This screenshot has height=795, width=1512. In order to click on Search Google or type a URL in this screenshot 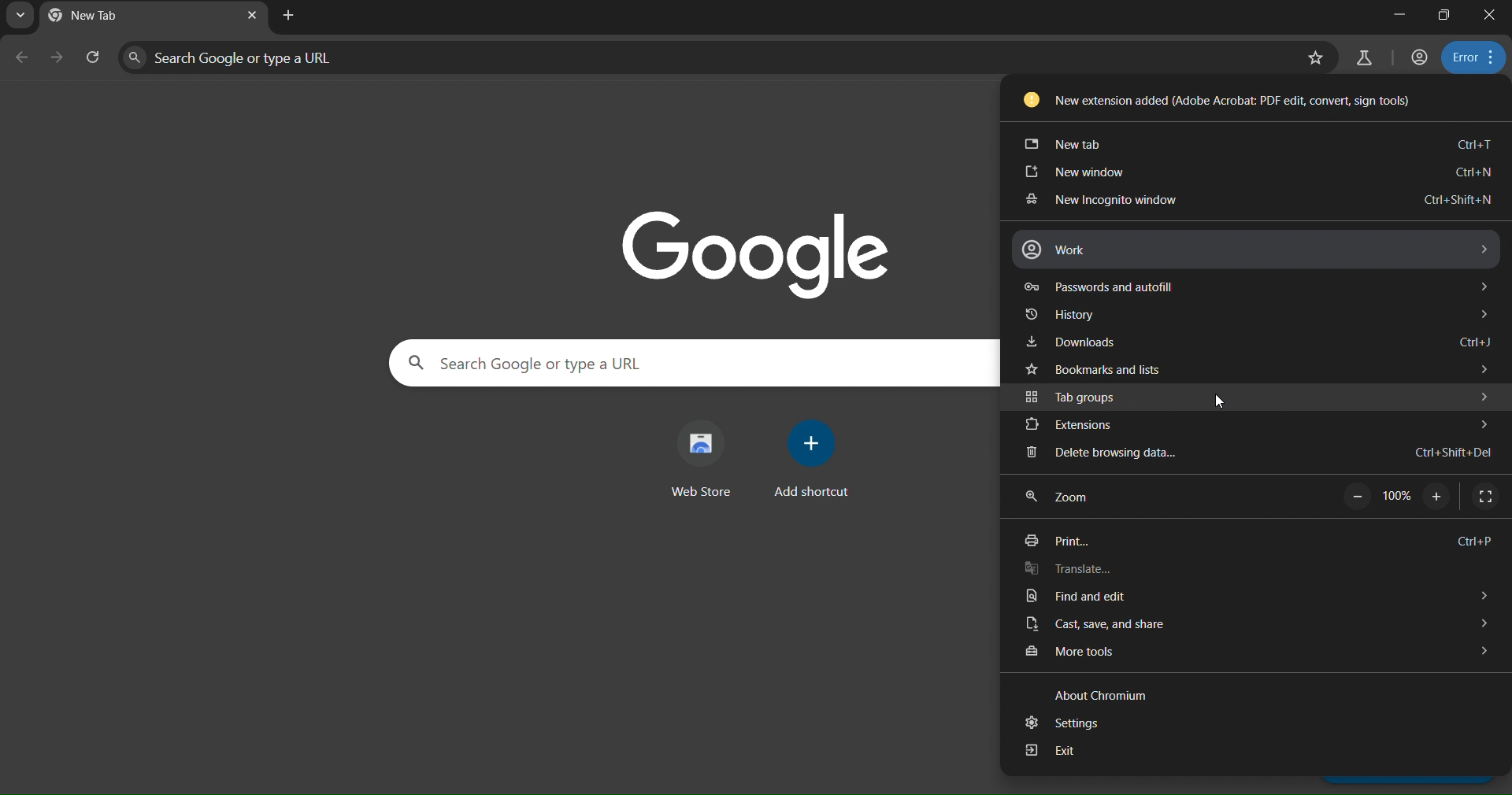, I will do `click(524, 361)`.